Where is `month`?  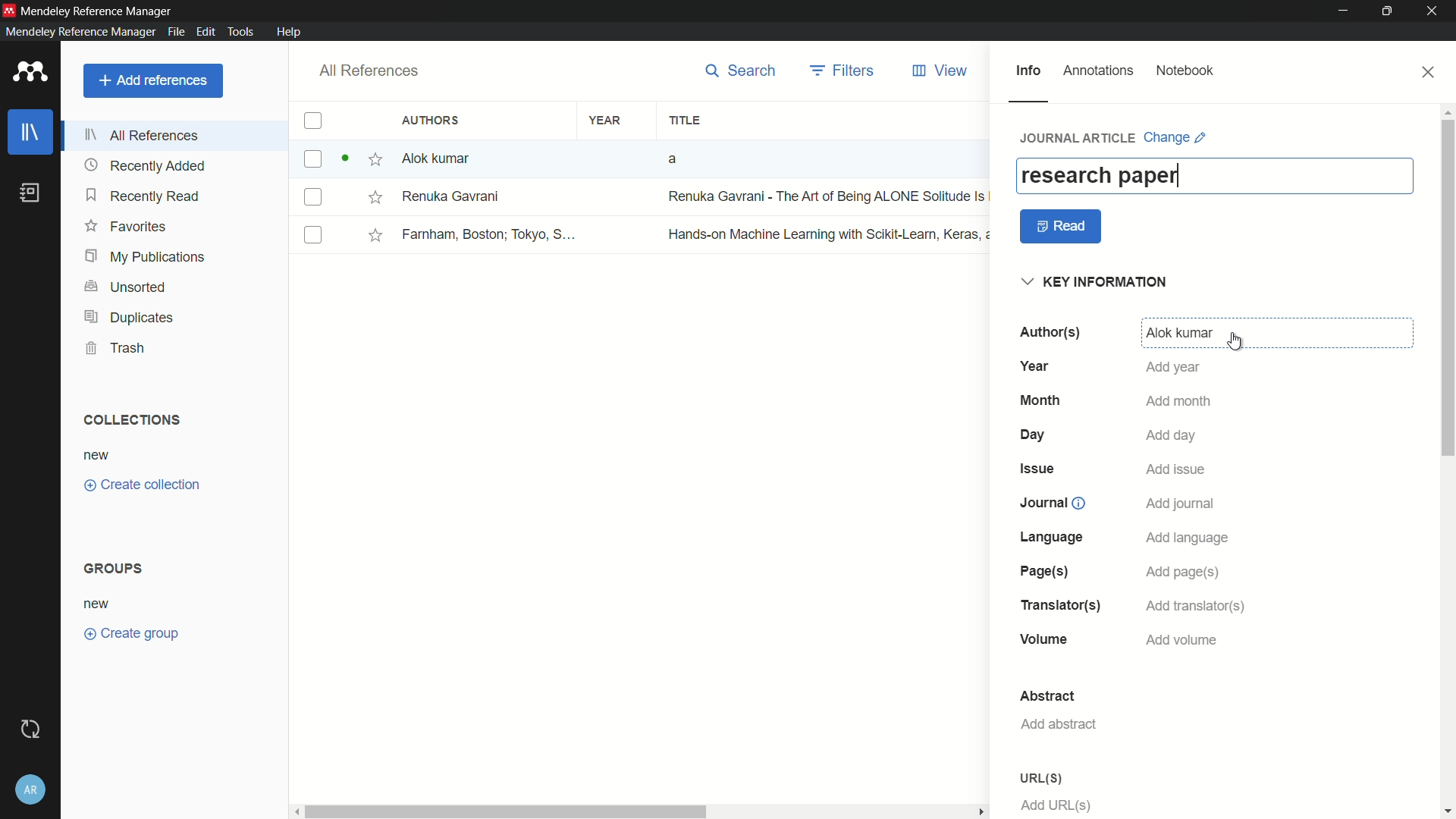
month is located at coordinates (1040, 400).